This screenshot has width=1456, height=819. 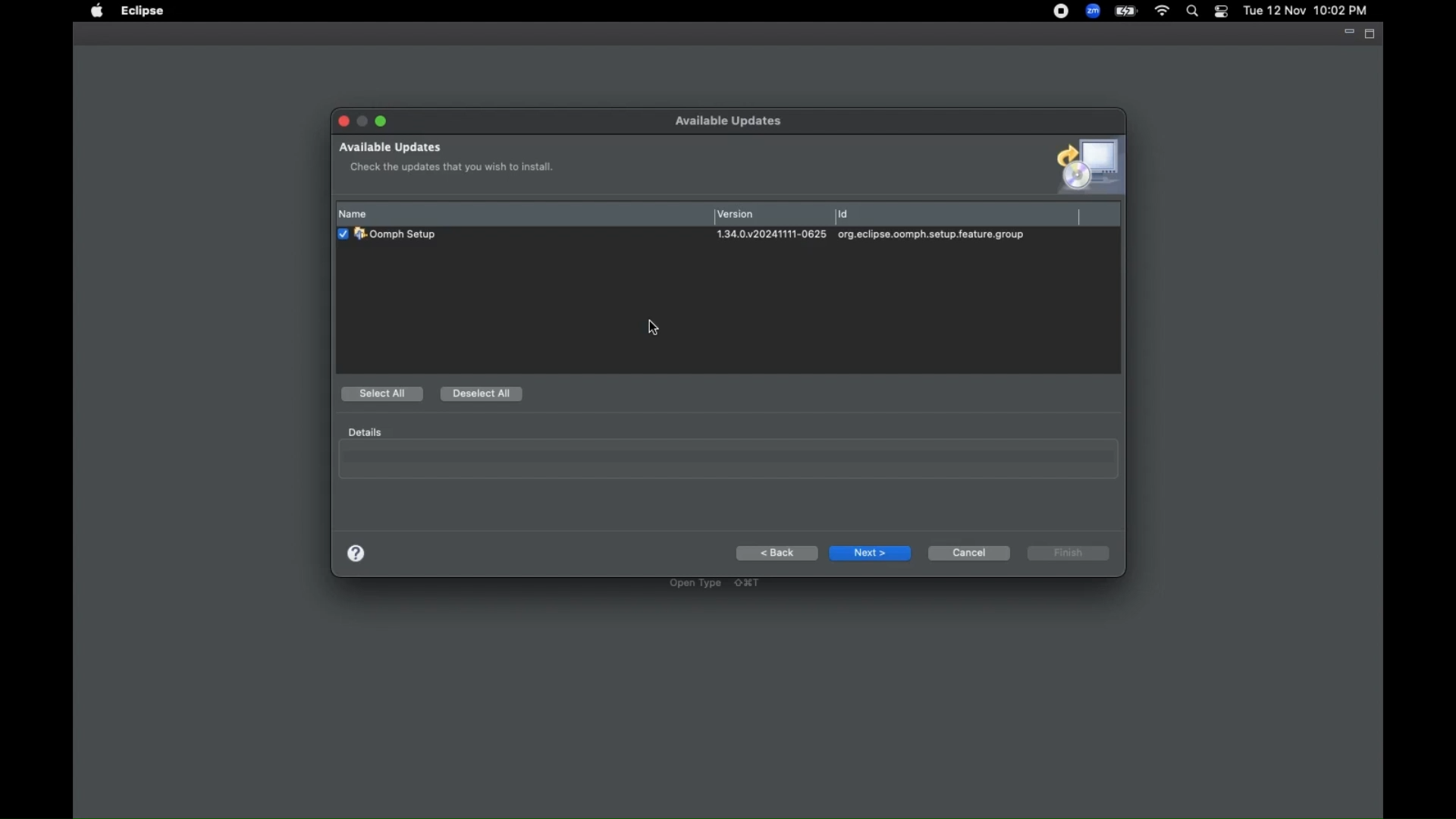 I want to click on Next, so click(x=871, y=554).